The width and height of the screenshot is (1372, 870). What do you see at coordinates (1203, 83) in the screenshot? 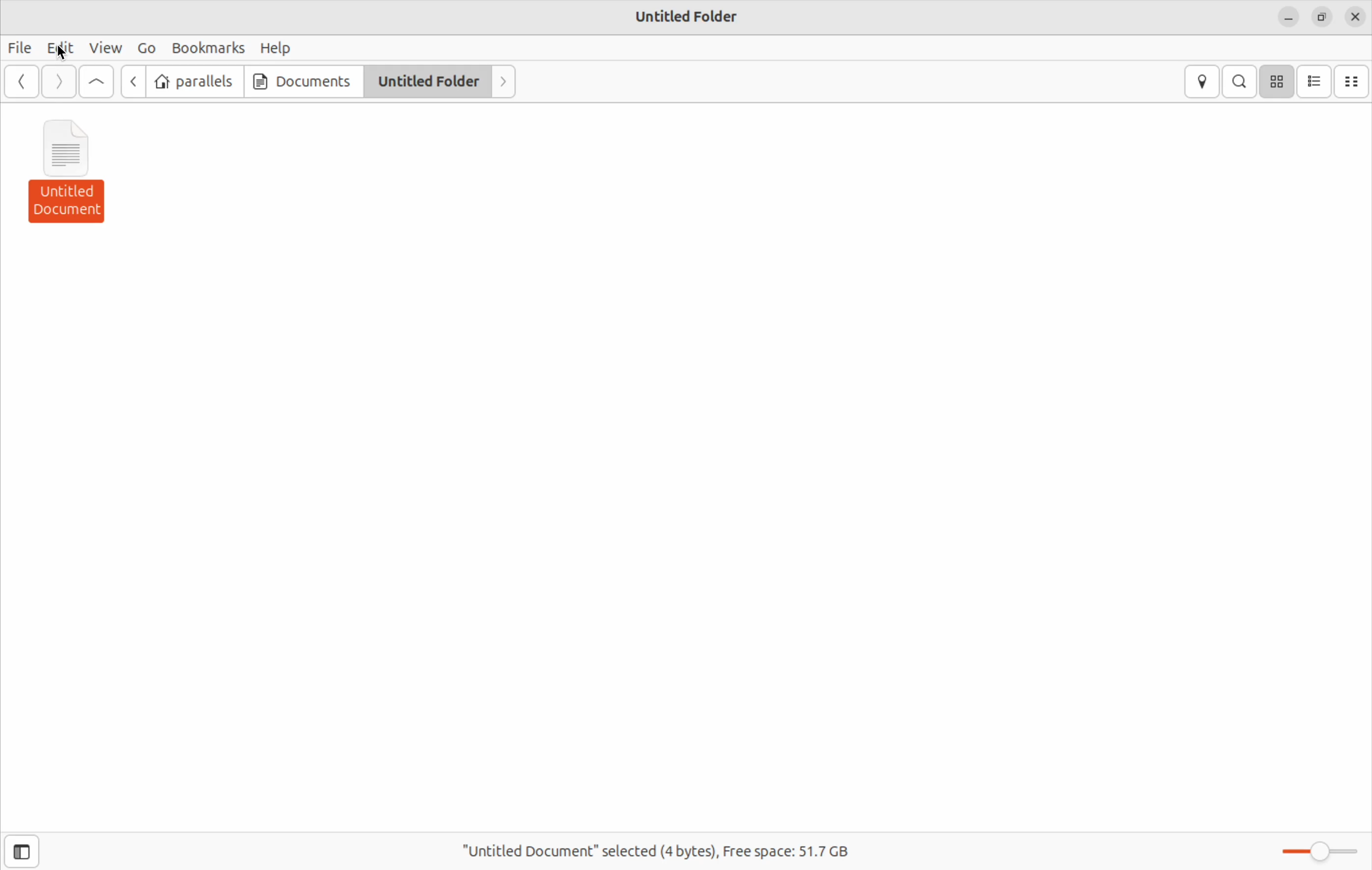
I see `location` at bounding box center [1203, 83].